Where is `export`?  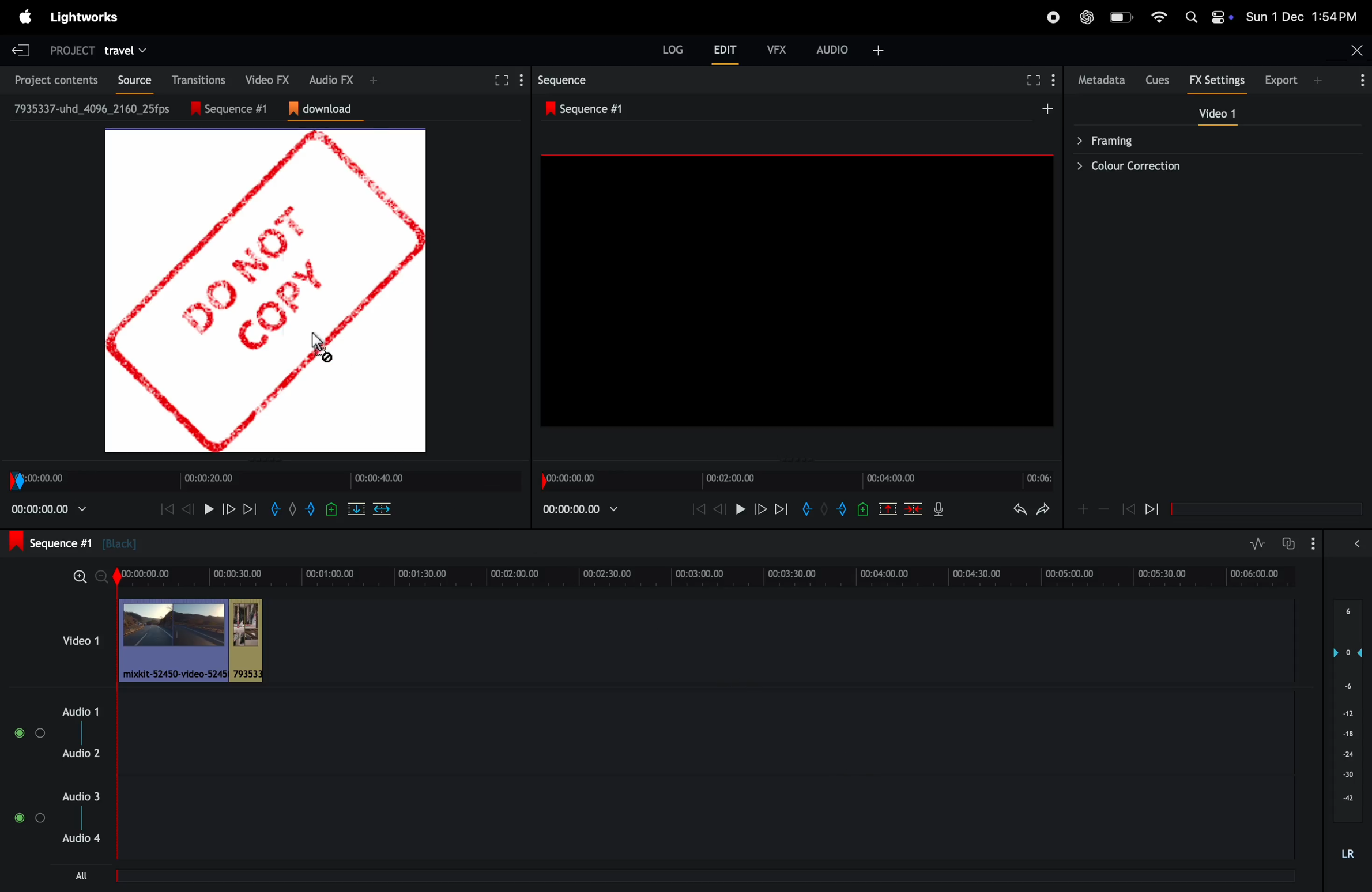
export is located at coordinates (1282, 80).